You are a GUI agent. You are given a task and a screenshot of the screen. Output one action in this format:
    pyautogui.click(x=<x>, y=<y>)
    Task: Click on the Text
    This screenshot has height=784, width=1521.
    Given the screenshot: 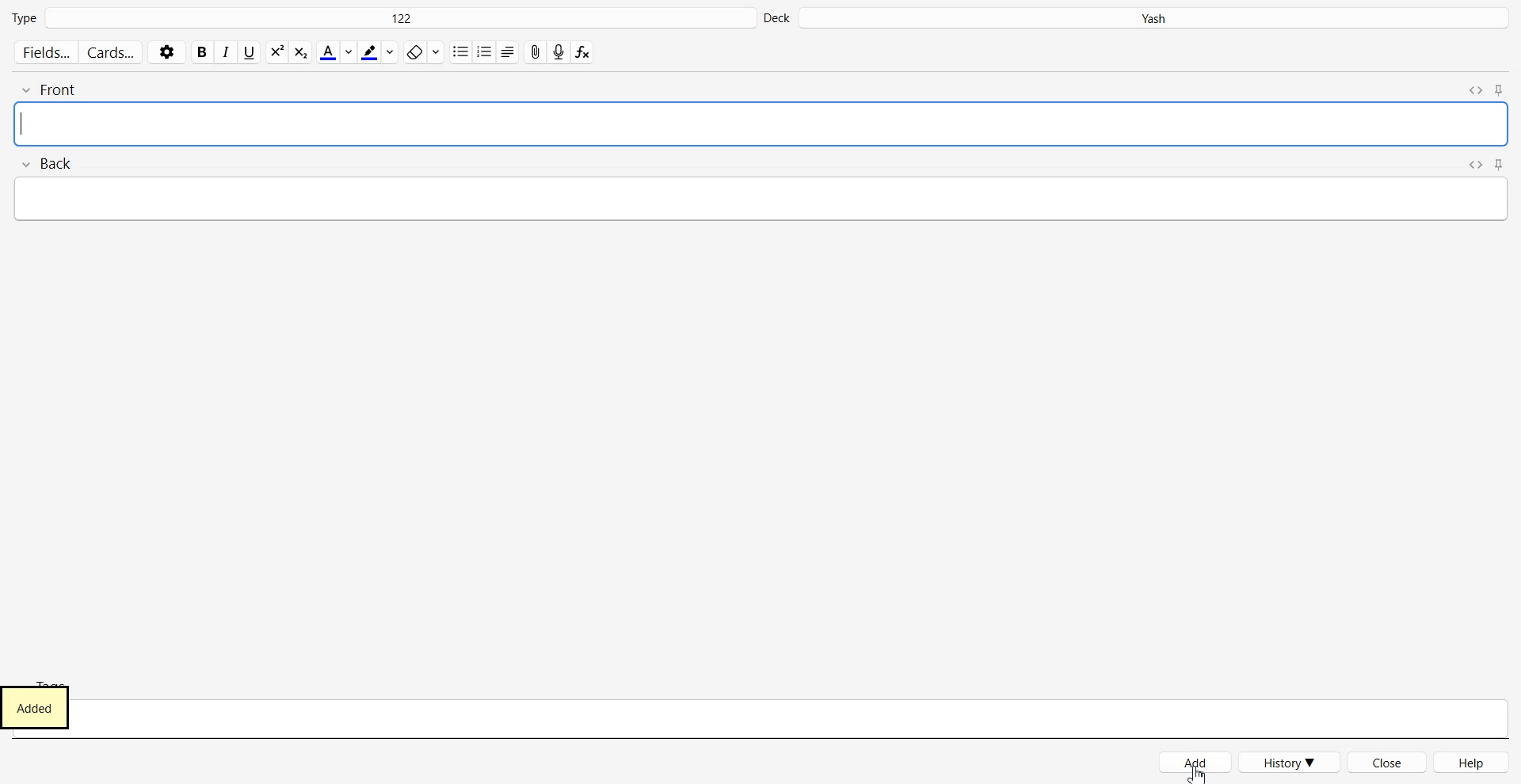 What is the action you would take?
    pyautogui.click(x=41, y=708)
    